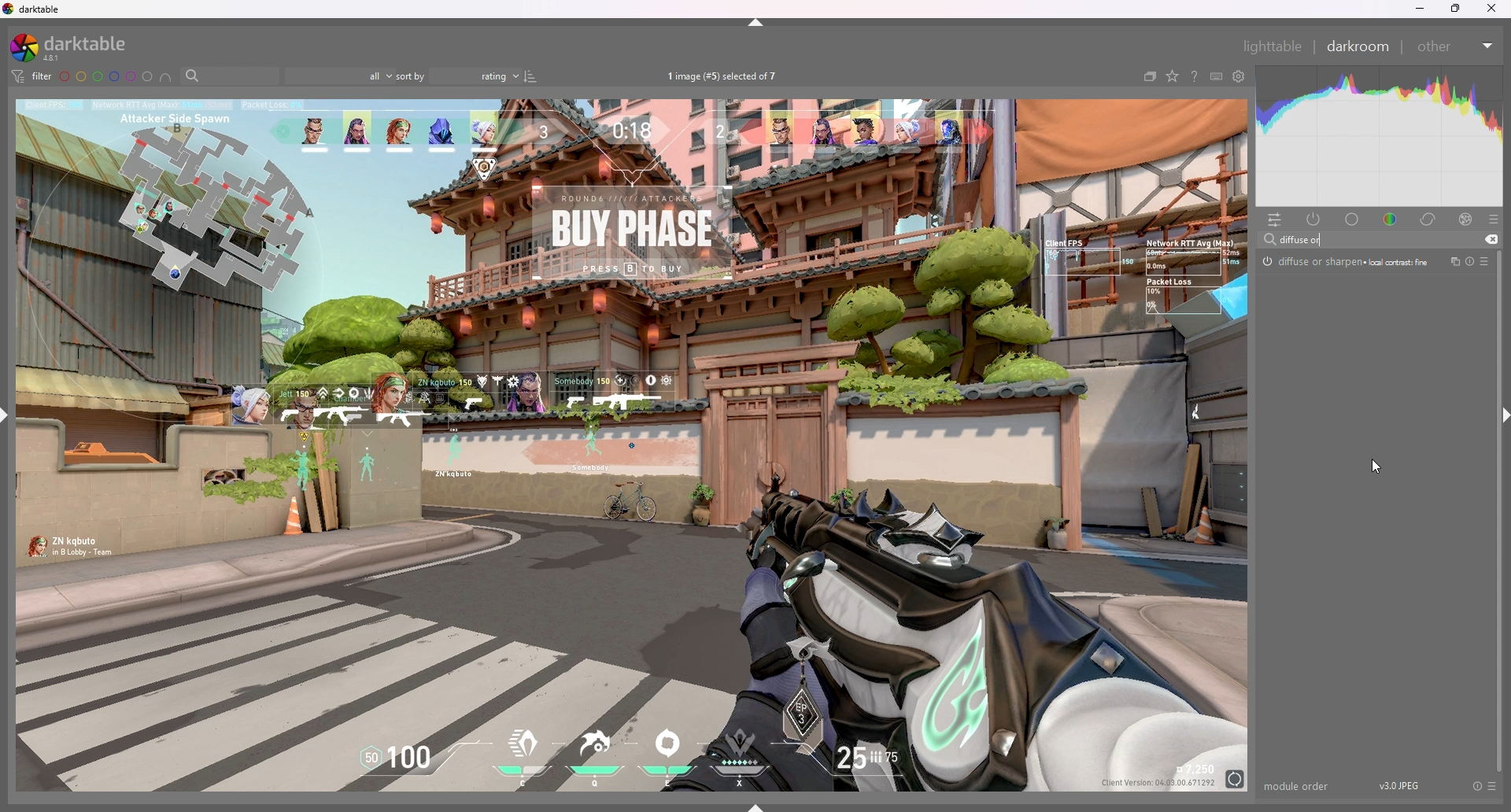  What do you see at coordinates (1217, 76) in the screenshot?
I see `keyboard shortcut` at bounding box center [1217, 76].